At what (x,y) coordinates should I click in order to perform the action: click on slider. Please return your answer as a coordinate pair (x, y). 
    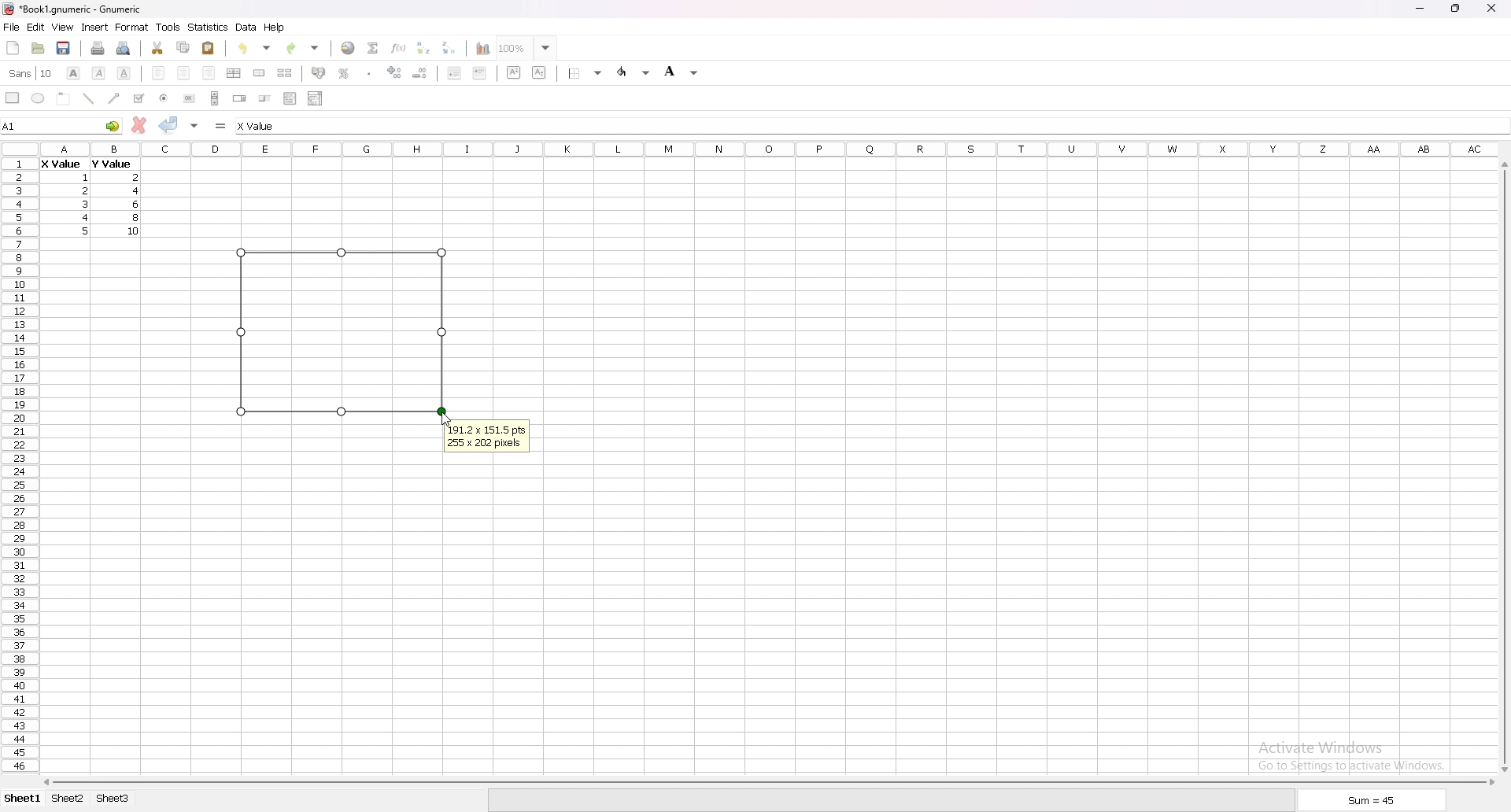
    Looking at the image, I should click on (266, 98).